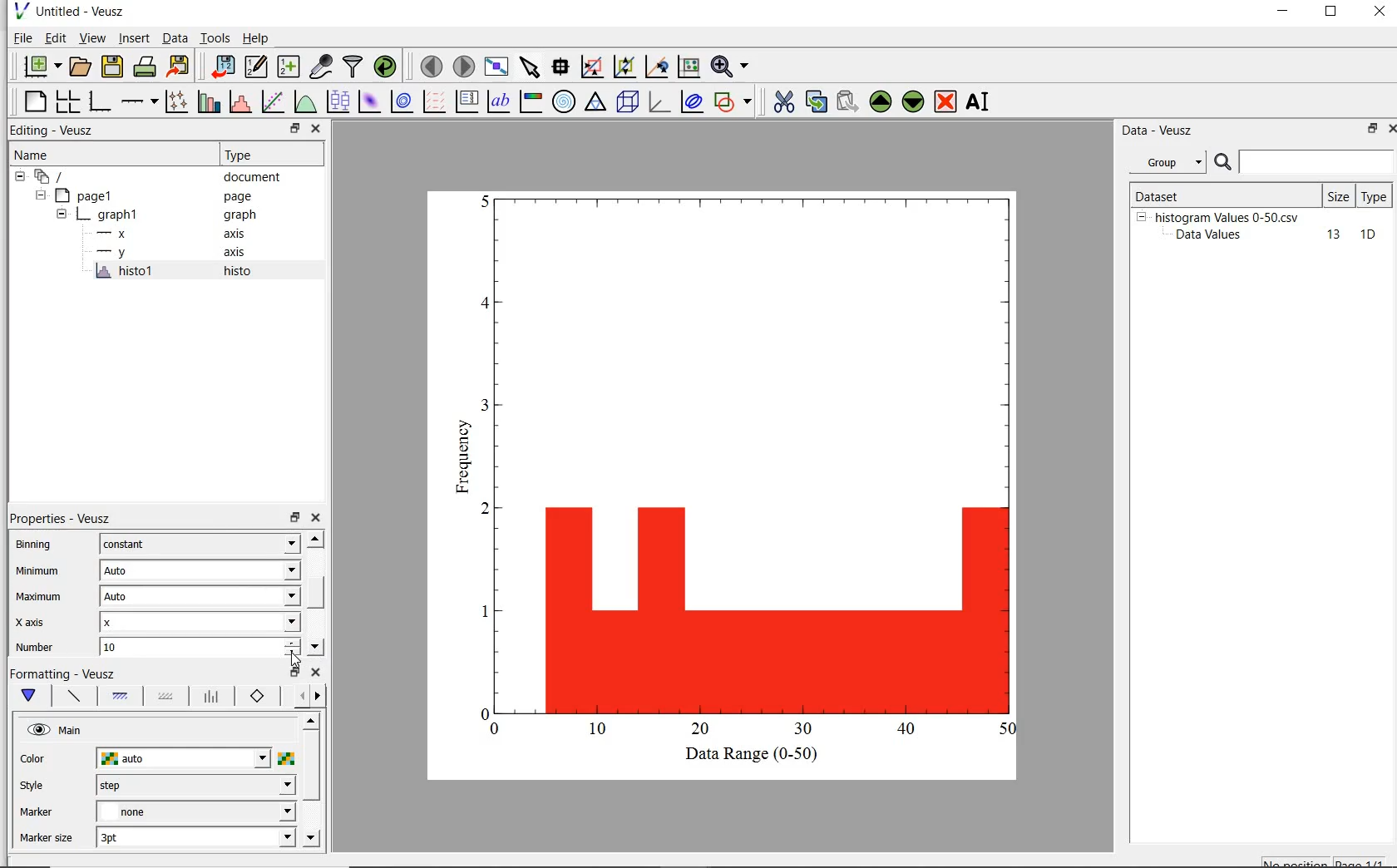 The image size is (1397, 868). I want to click on plot line, so click(73, 698).